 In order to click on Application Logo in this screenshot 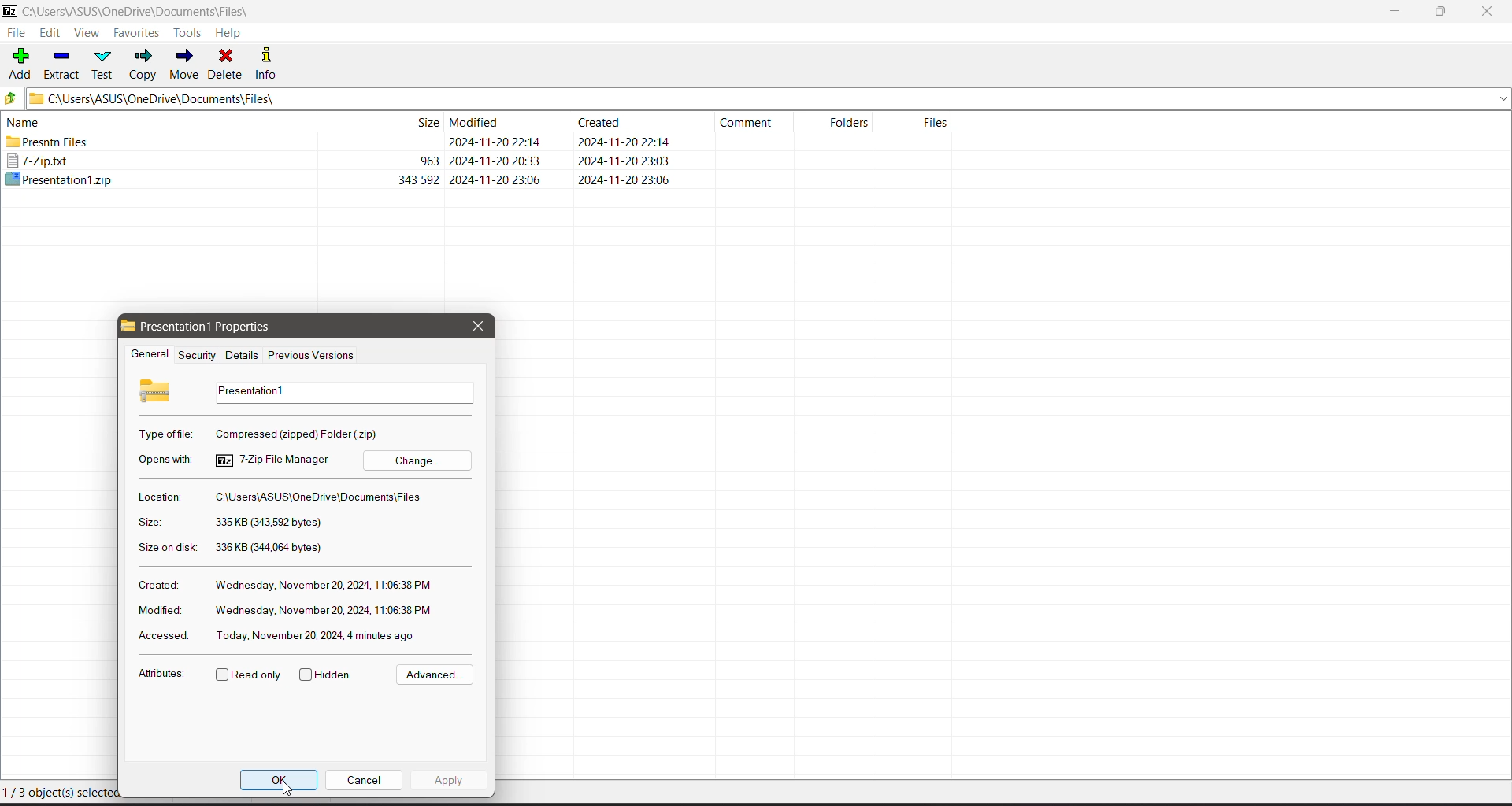, I will do `click(9, 12)`.